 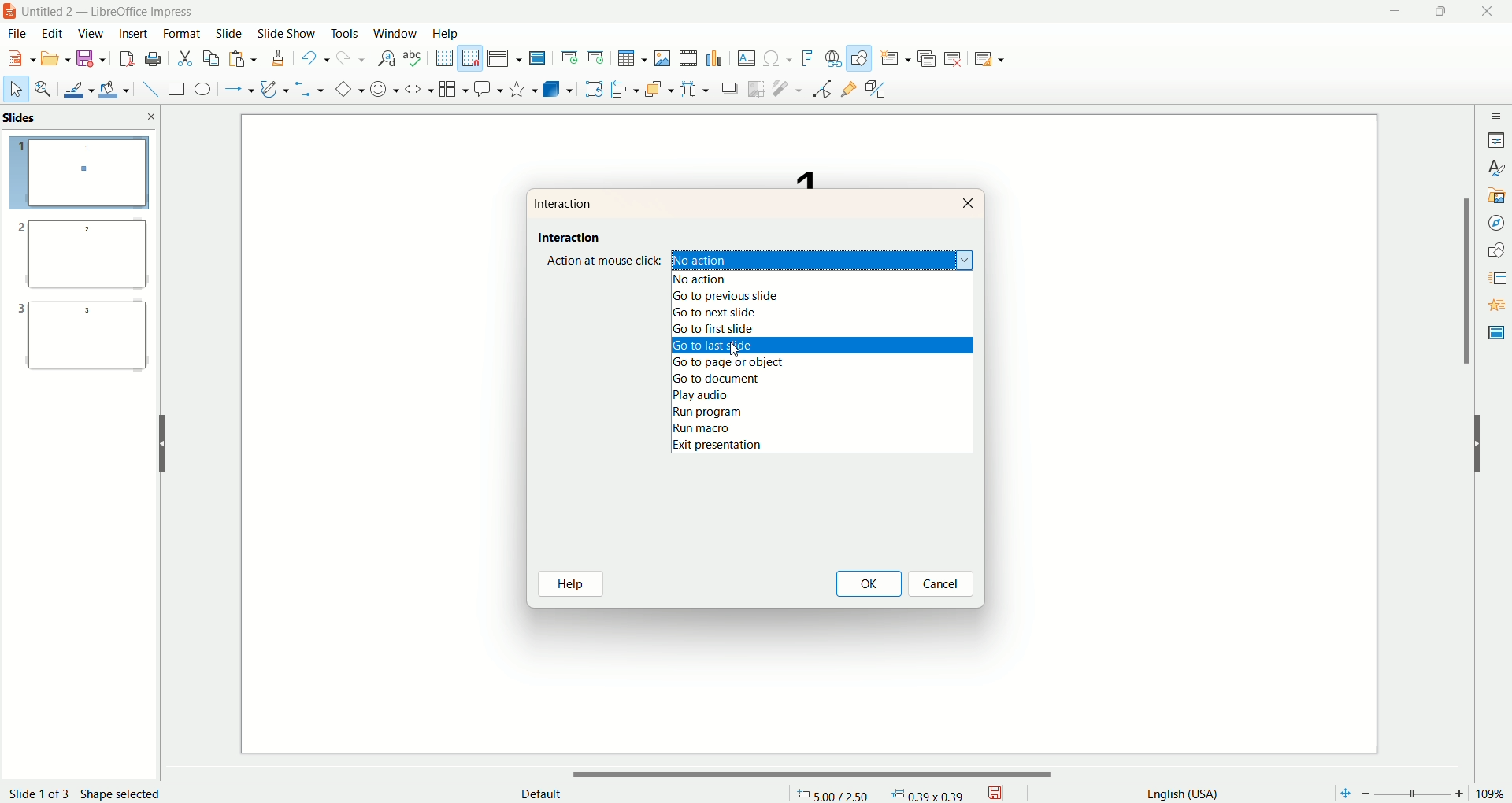 I want to click on rectangle, so click(x=172, y=89).